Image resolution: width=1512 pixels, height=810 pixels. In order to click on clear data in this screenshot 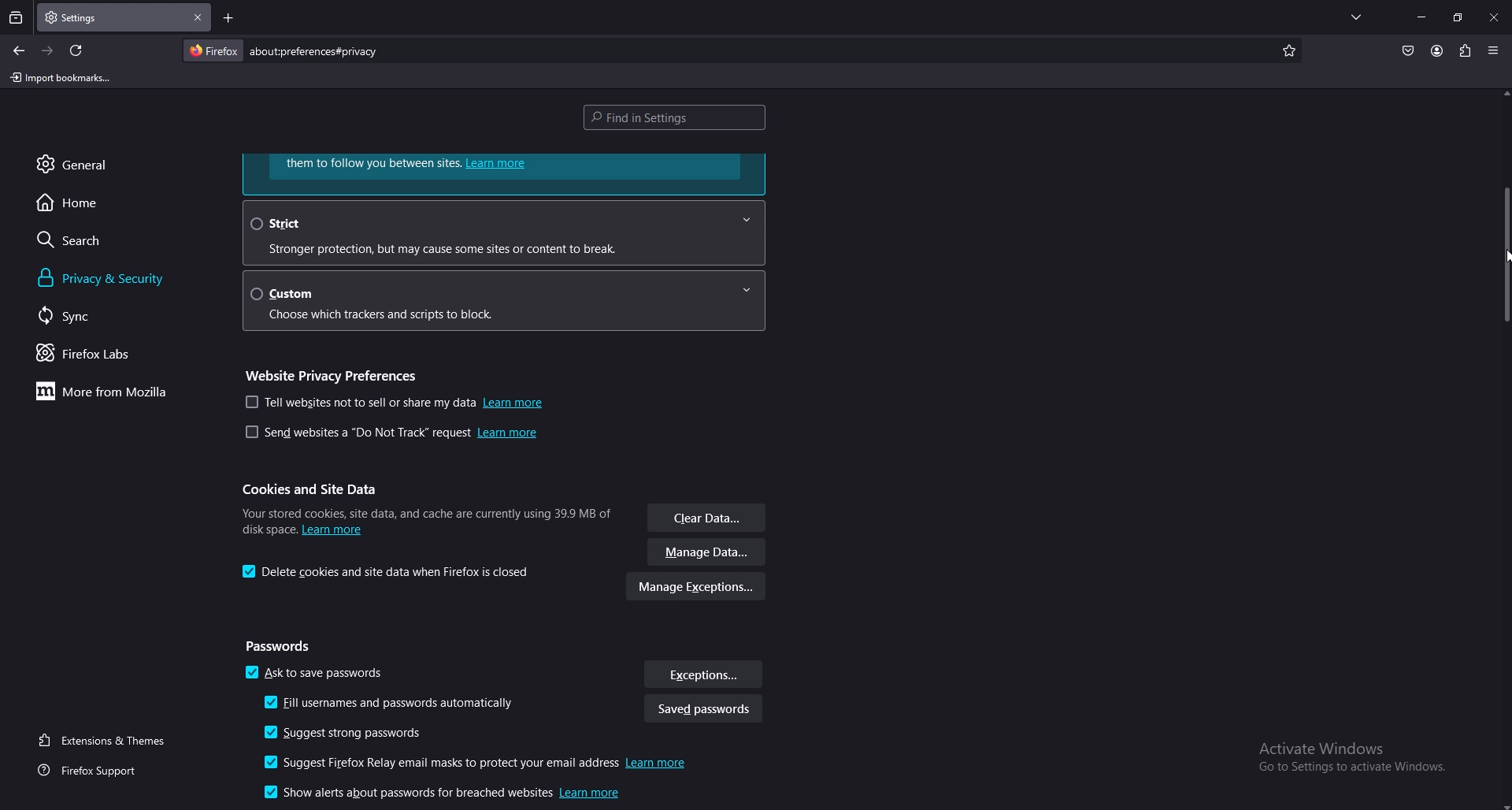, I will do `click(708, 519)`.